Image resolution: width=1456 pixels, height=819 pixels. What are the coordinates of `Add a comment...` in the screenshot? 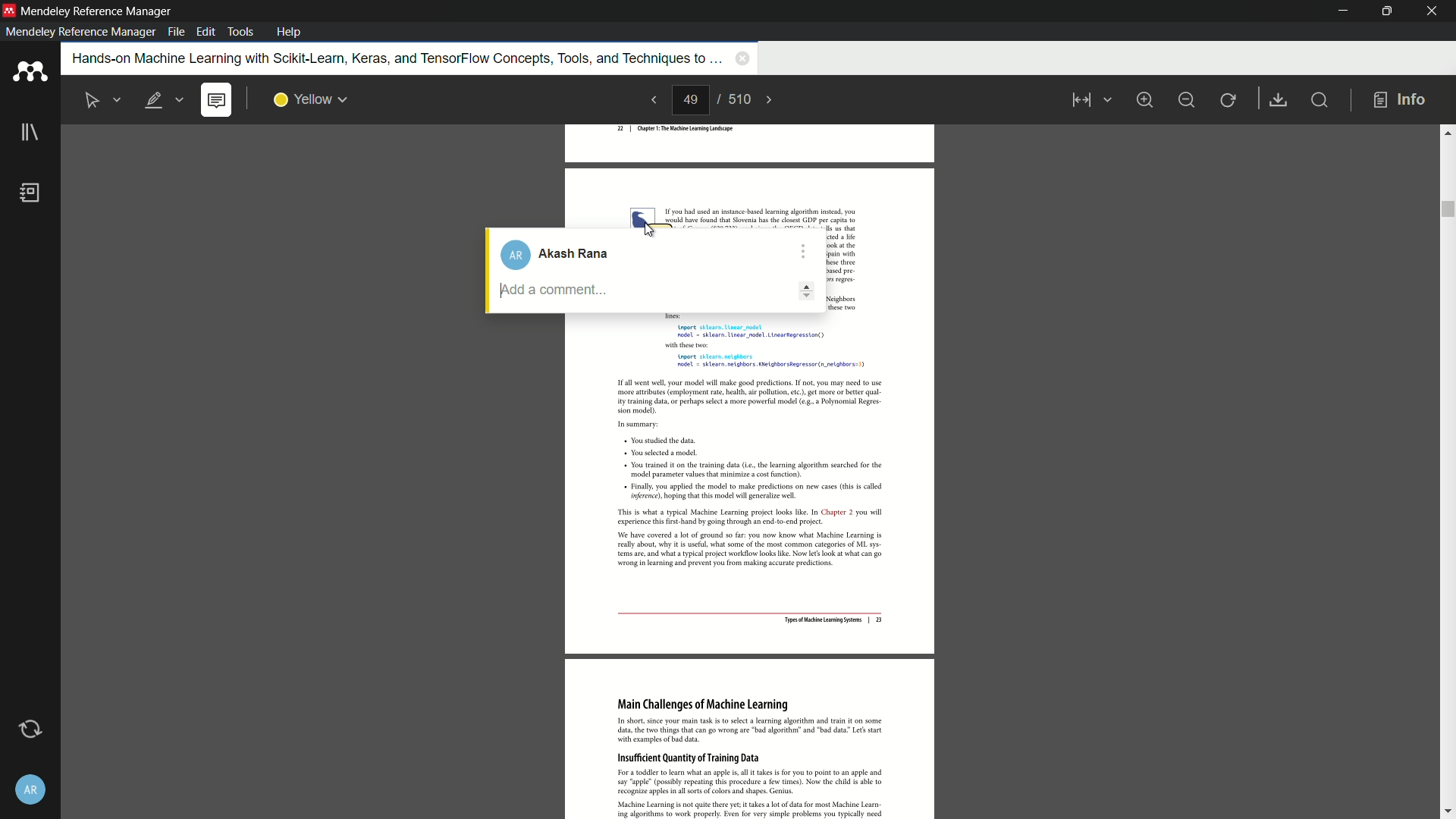 It's located at (609, 290).